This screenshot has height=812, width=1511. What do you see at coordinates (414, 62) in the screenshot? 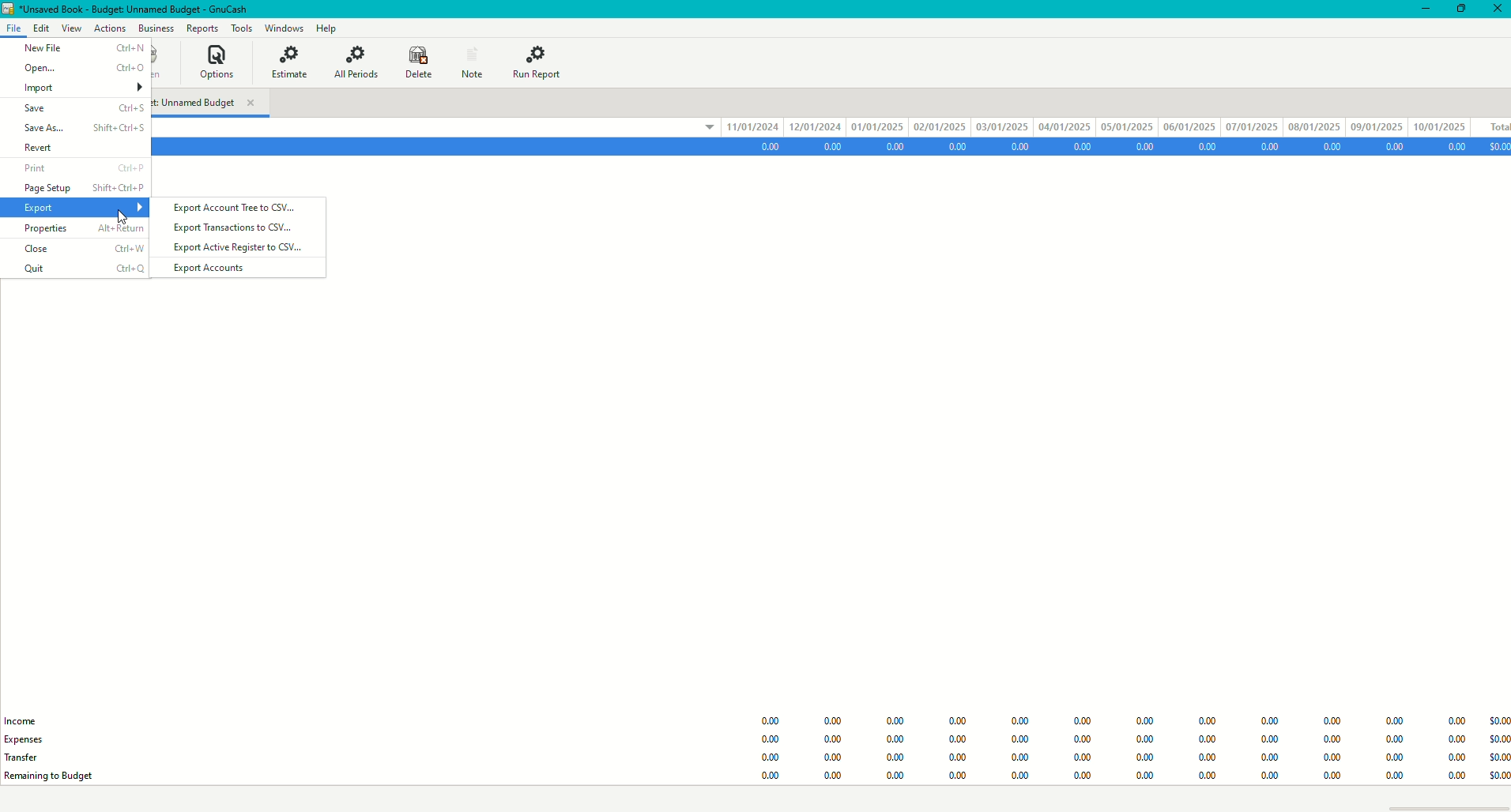
I see `Delete` at bounding box center [414, 62].